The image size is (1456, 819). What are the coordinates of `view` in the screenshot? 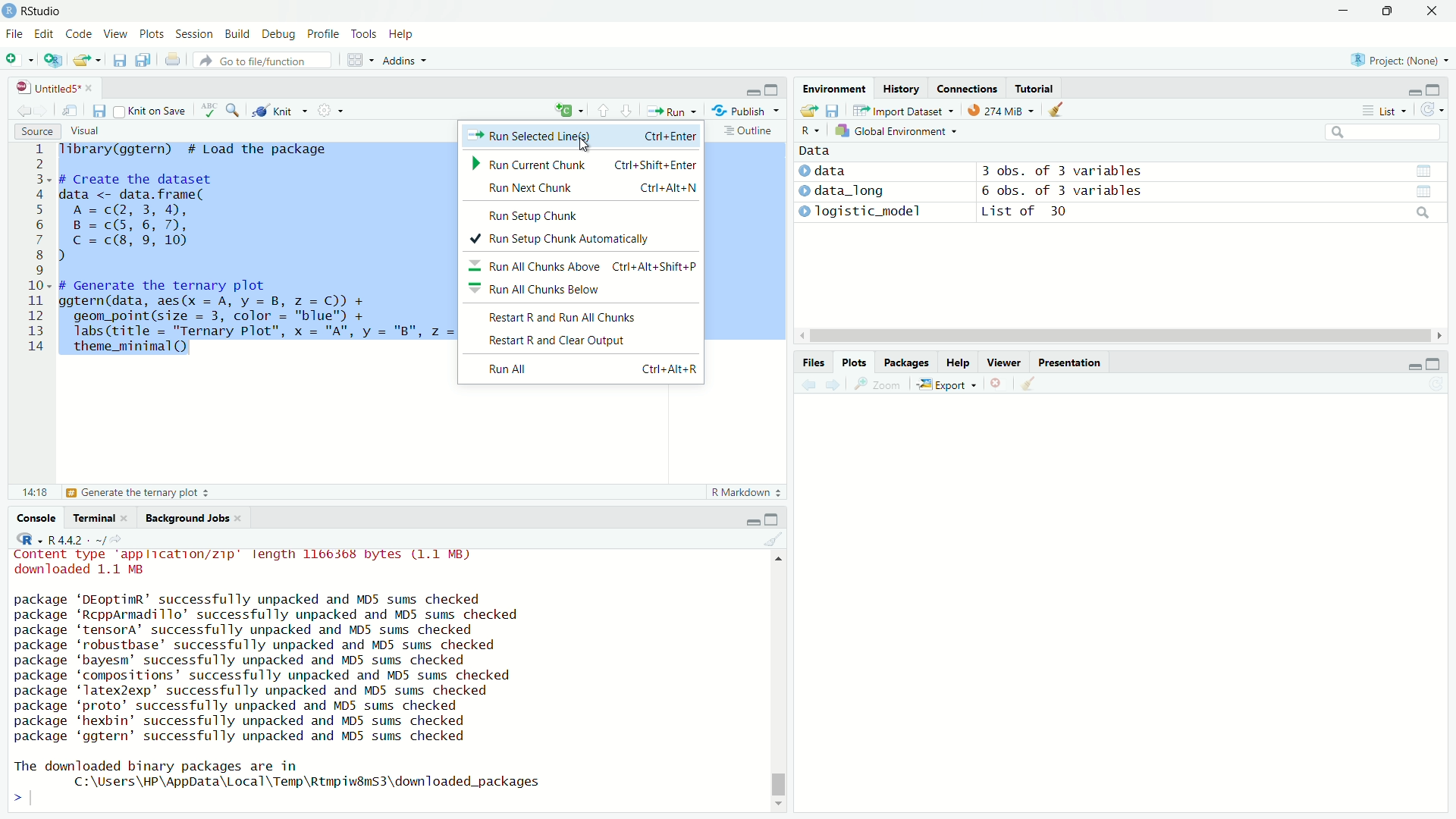 It's located at (72, 111).